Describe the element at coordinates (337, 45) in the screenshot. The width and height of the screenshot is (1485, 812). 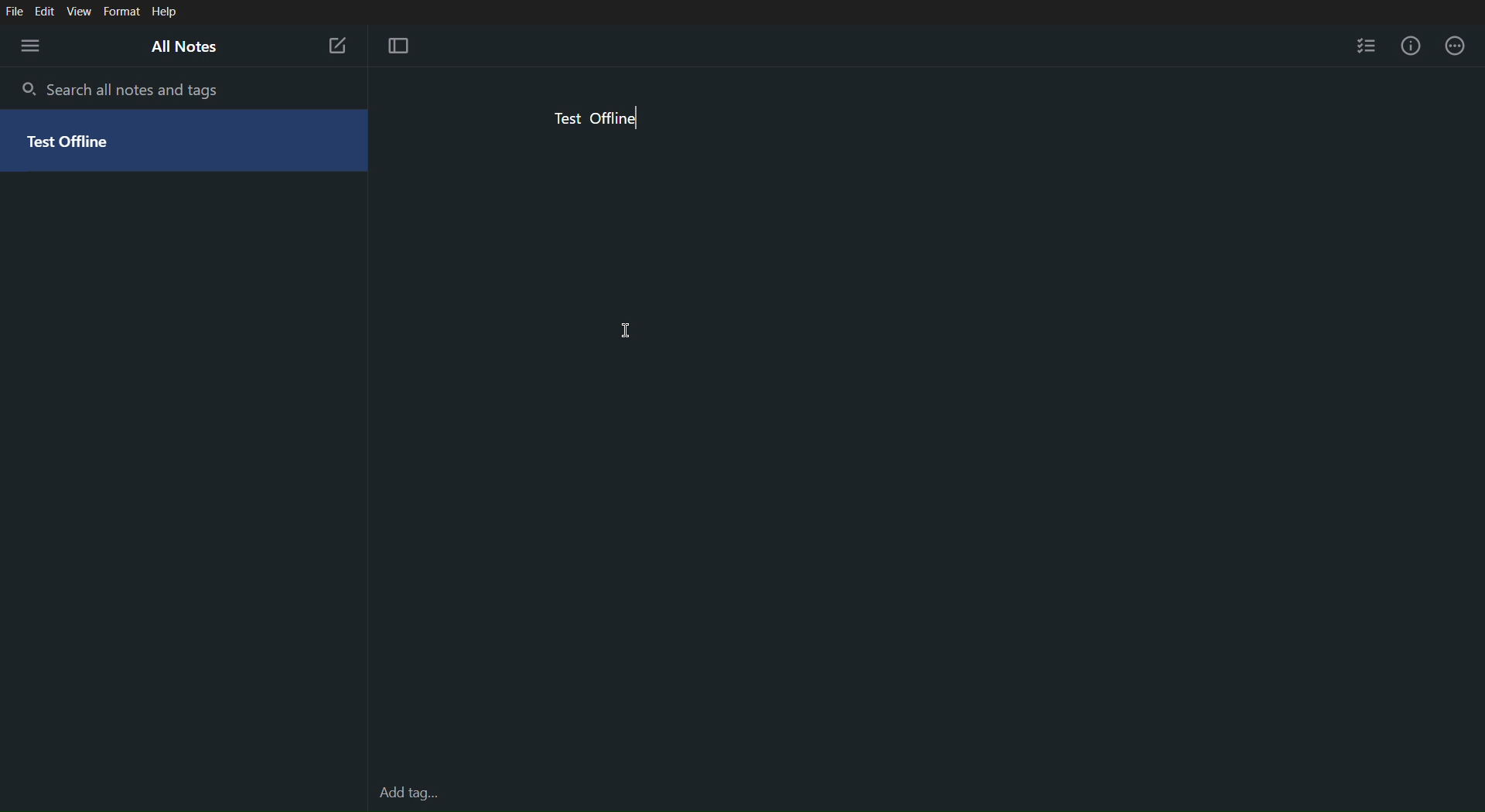
I see `New Note` at that location.